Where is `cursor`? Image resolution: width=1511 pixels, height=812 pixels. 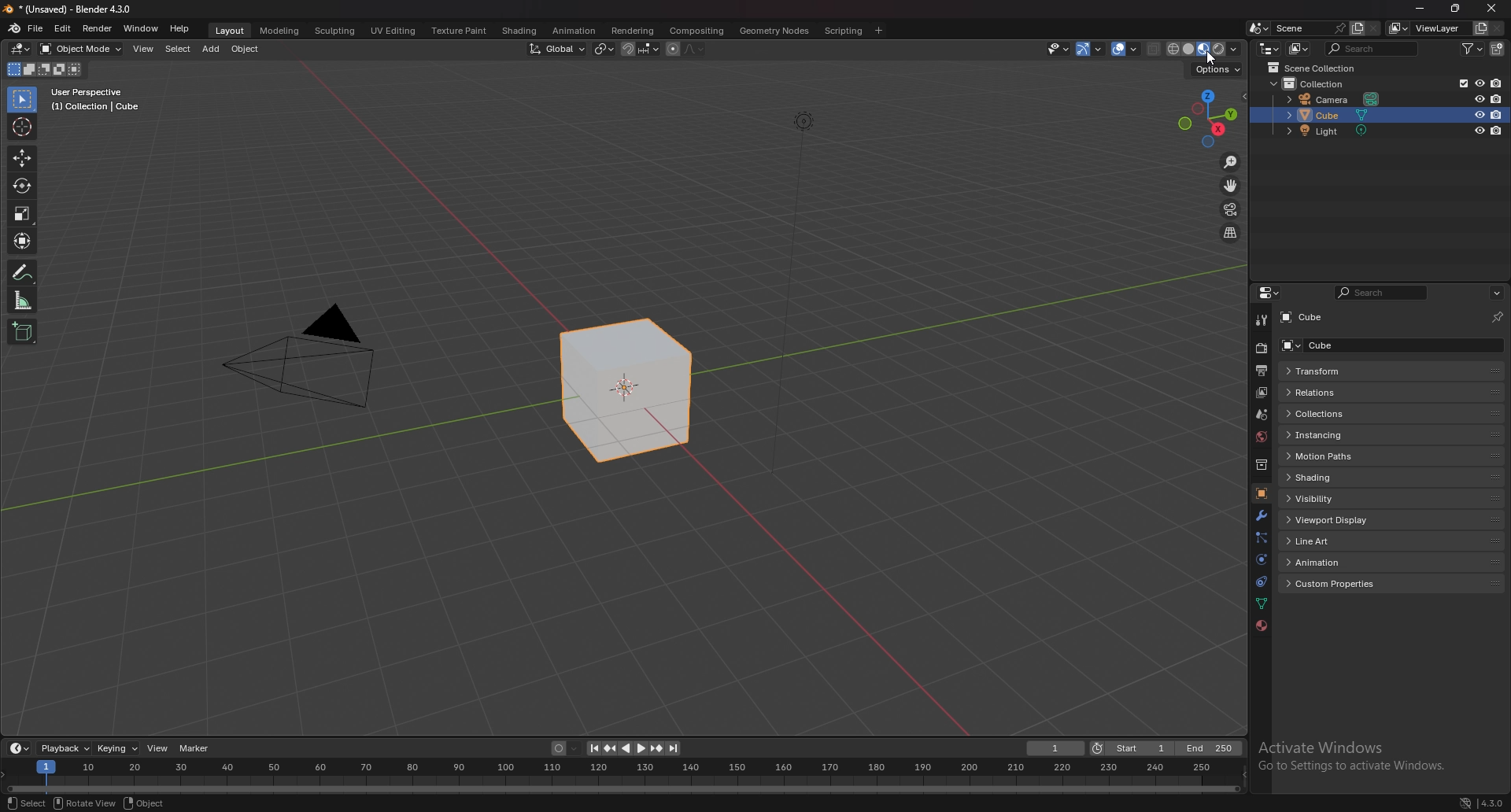 cursor is located at coordinates (21, 127).